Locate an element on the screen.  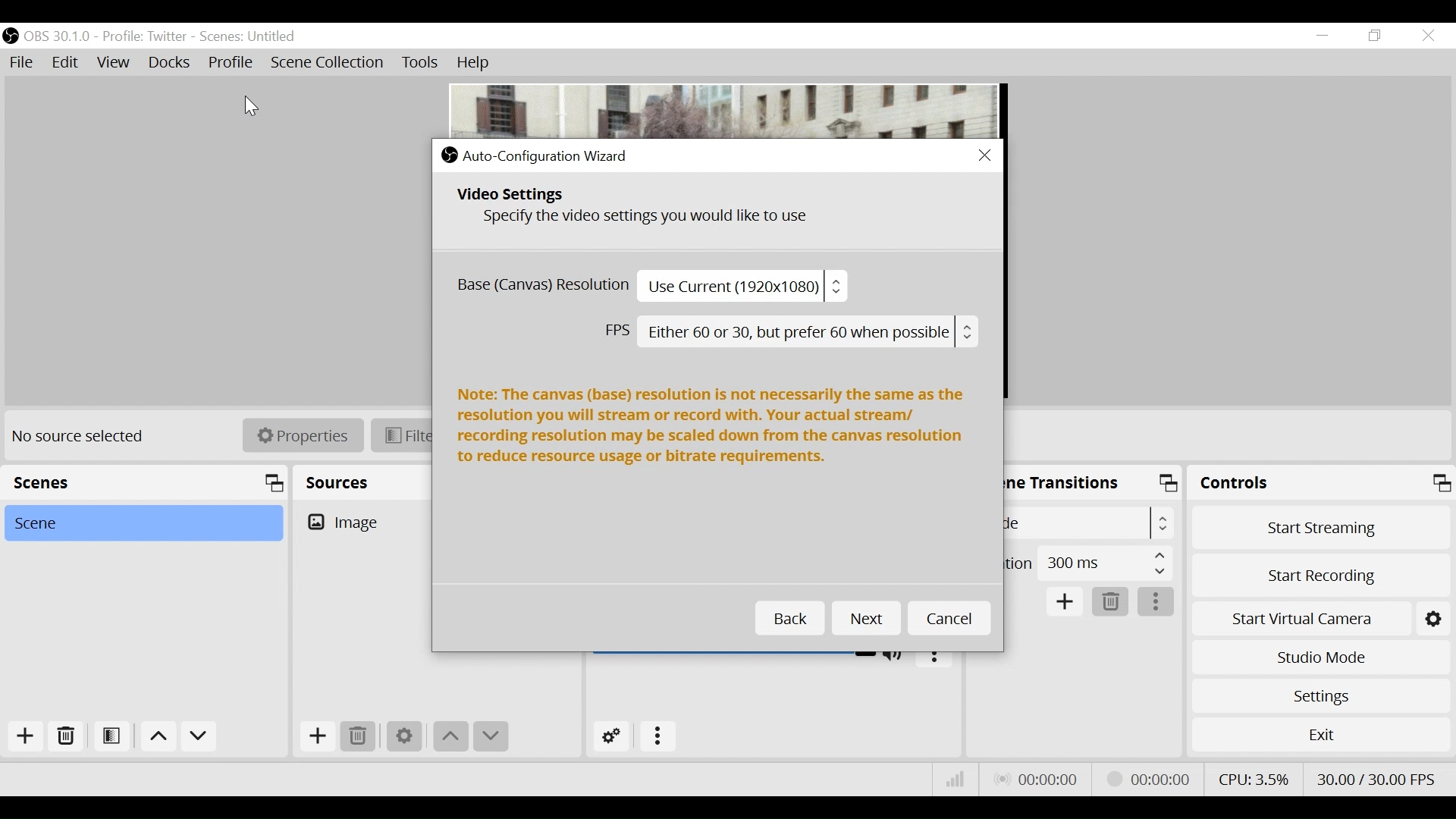
Add is located at coordinates (1066, 603).